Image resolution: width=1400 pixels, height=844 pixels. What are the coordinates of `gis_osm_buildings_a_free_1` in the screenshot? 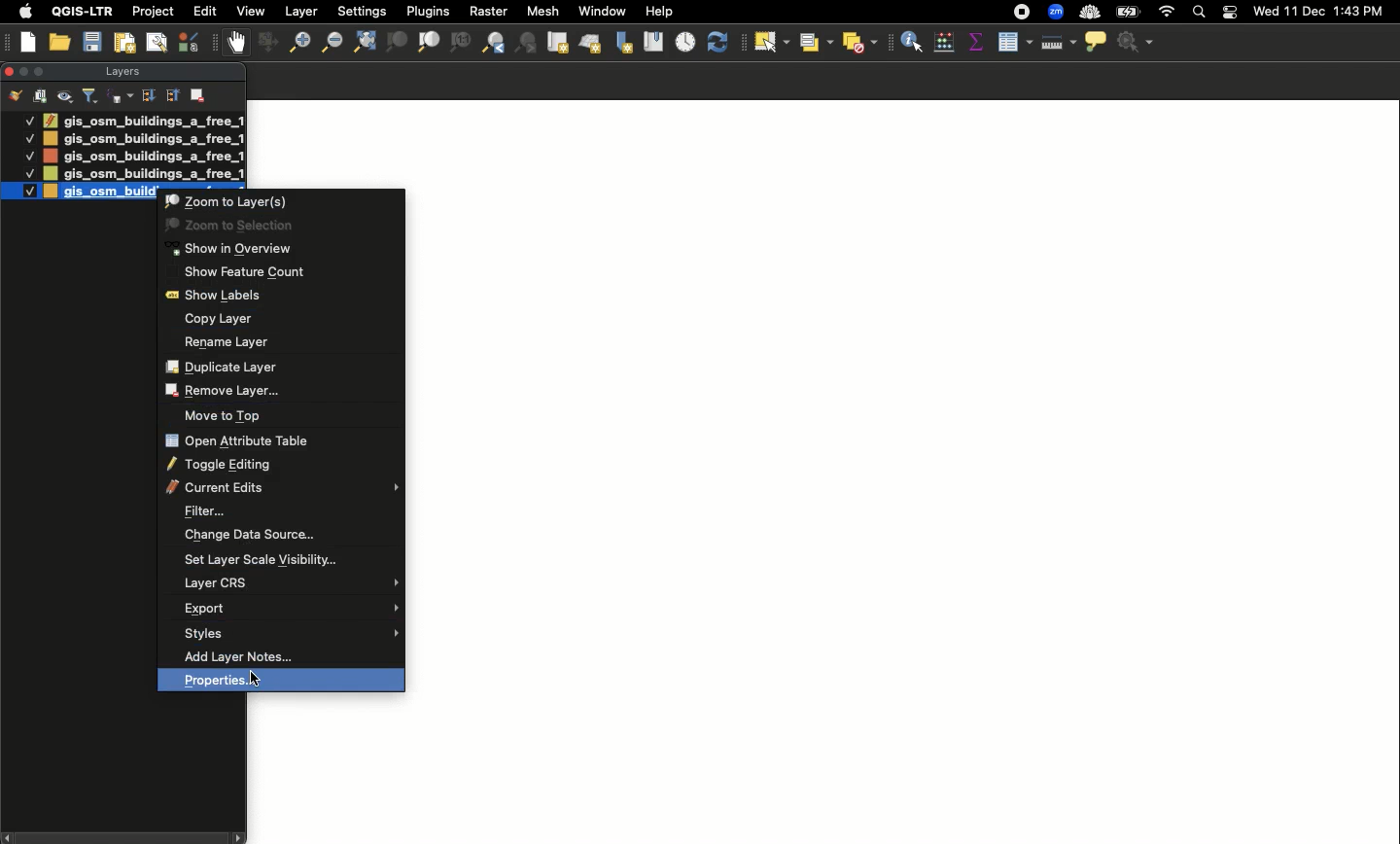 It's located at (143, 156).